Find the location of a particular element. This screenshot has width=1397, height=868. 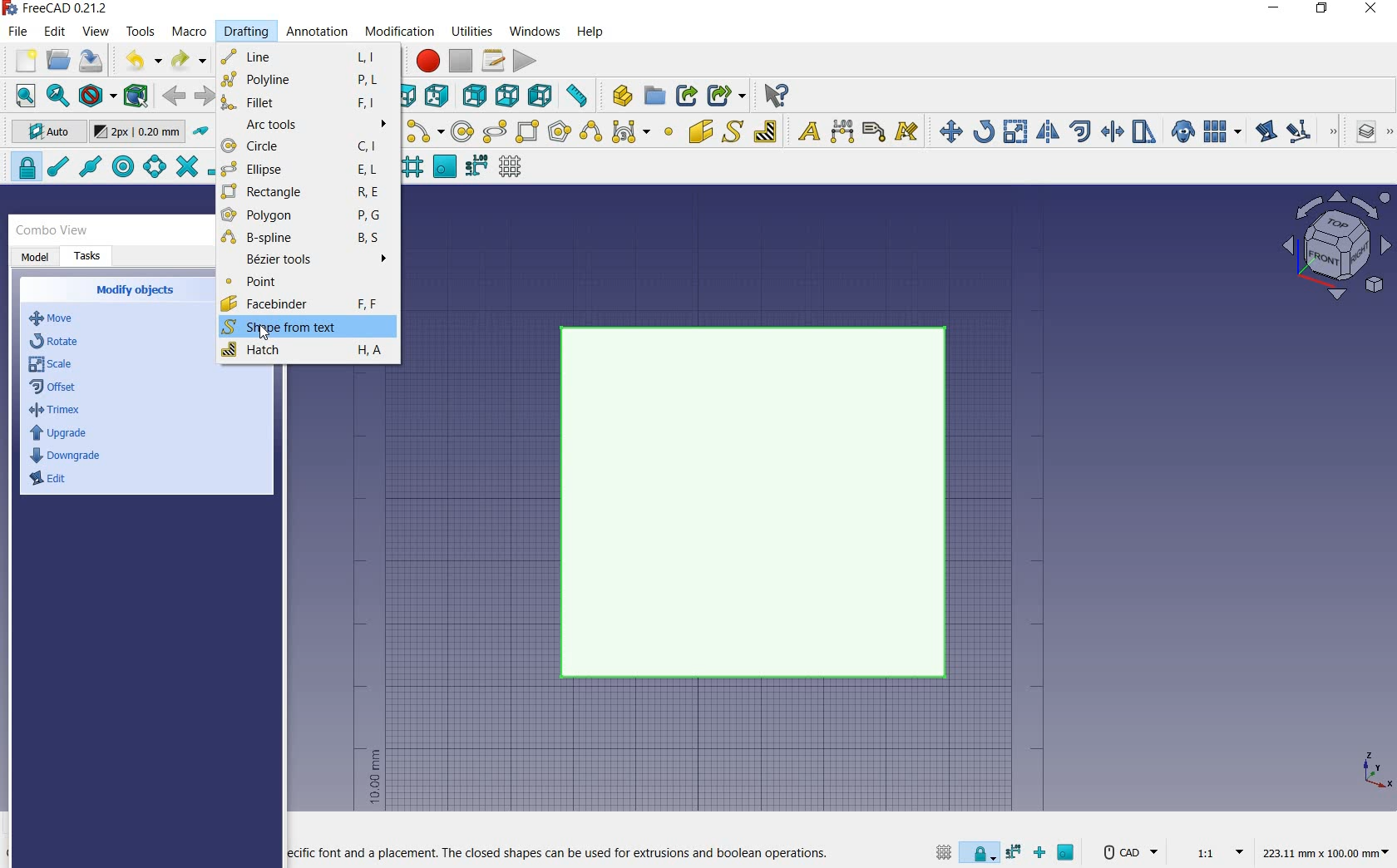

snap angle is located at coordinates (152, 168).